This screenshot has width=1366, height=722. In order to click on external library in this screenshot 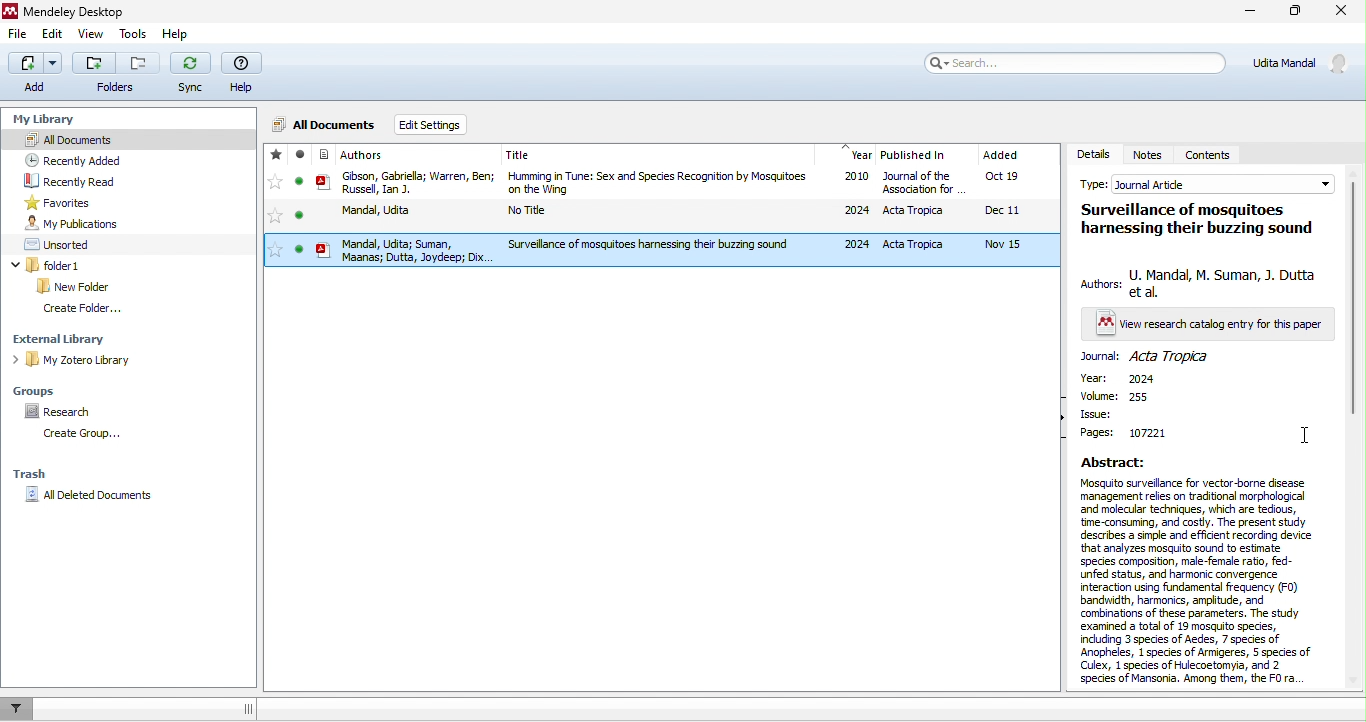, I will do `click(67, 341)`.